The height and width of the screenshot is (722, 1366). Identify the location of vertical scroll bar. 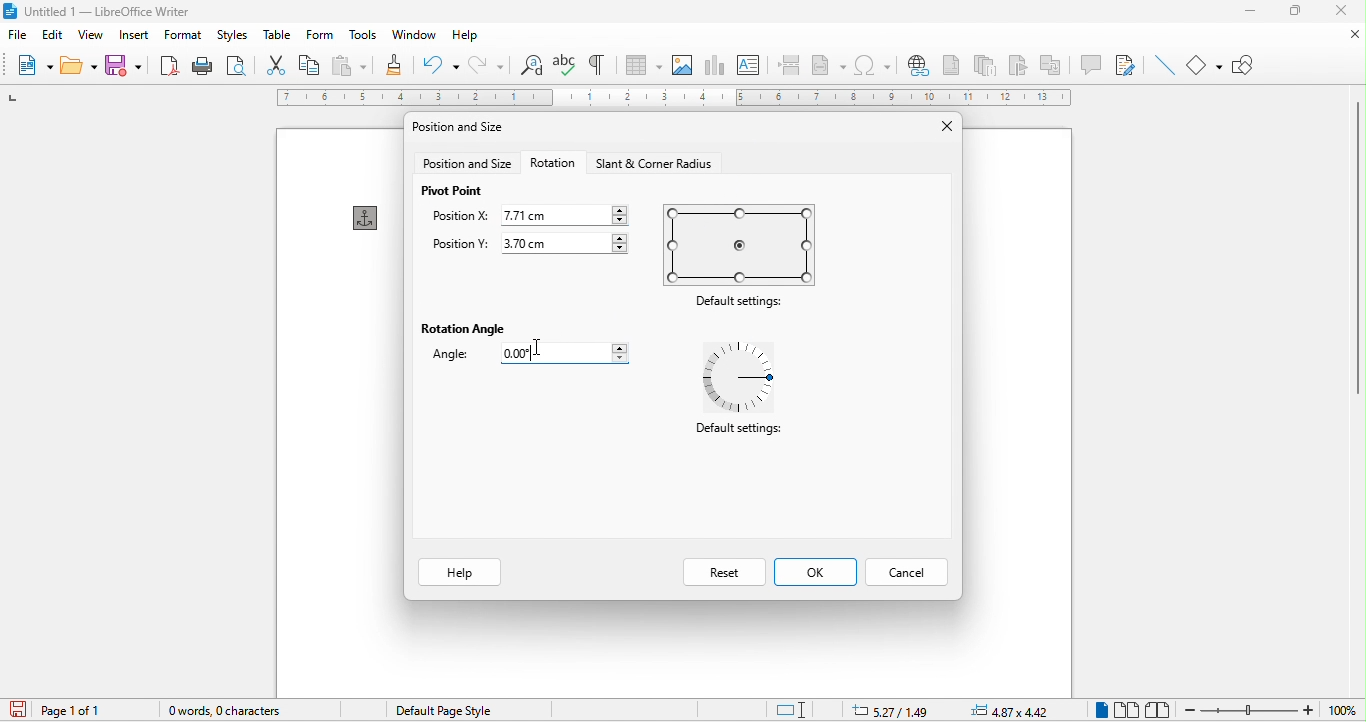
(1355, 248).